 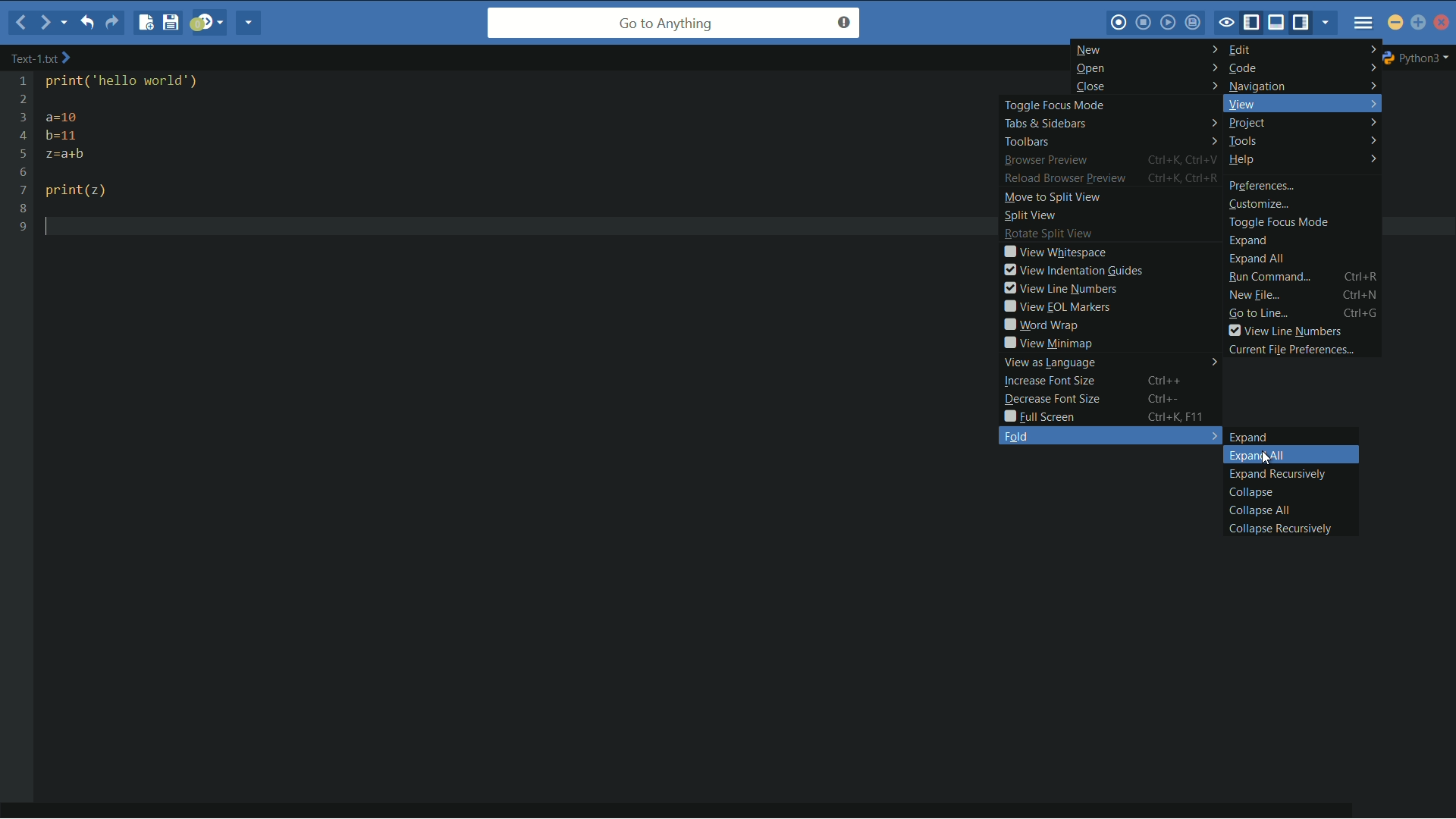 I want to click on toggle focus mode, so click(x=1279, y=221).